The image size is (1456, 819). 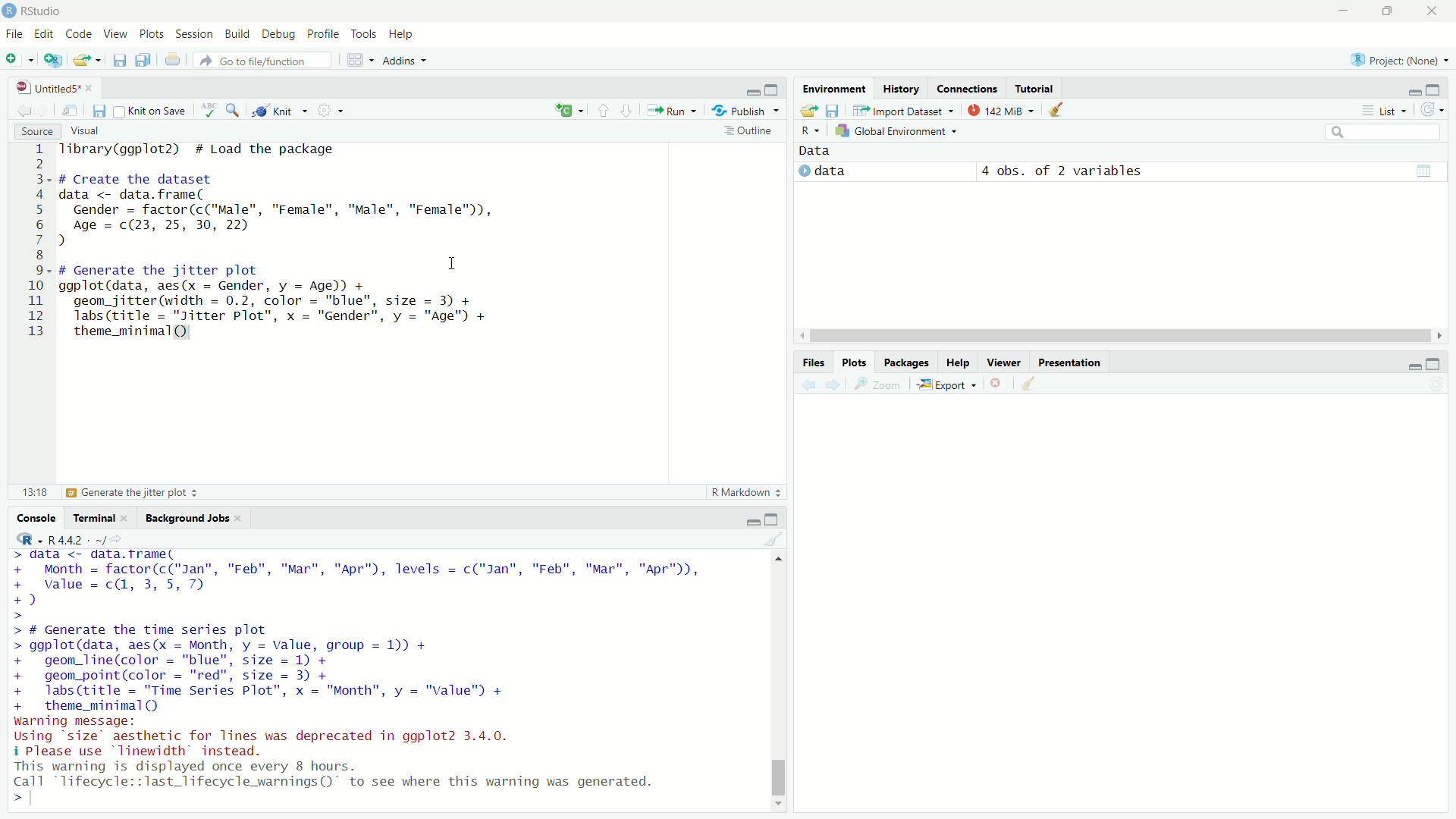 What do you see at coordinates (77, 539) in the screenshot?
I see `R 4.4.2 . ~/` at bounding box center [77, 539].